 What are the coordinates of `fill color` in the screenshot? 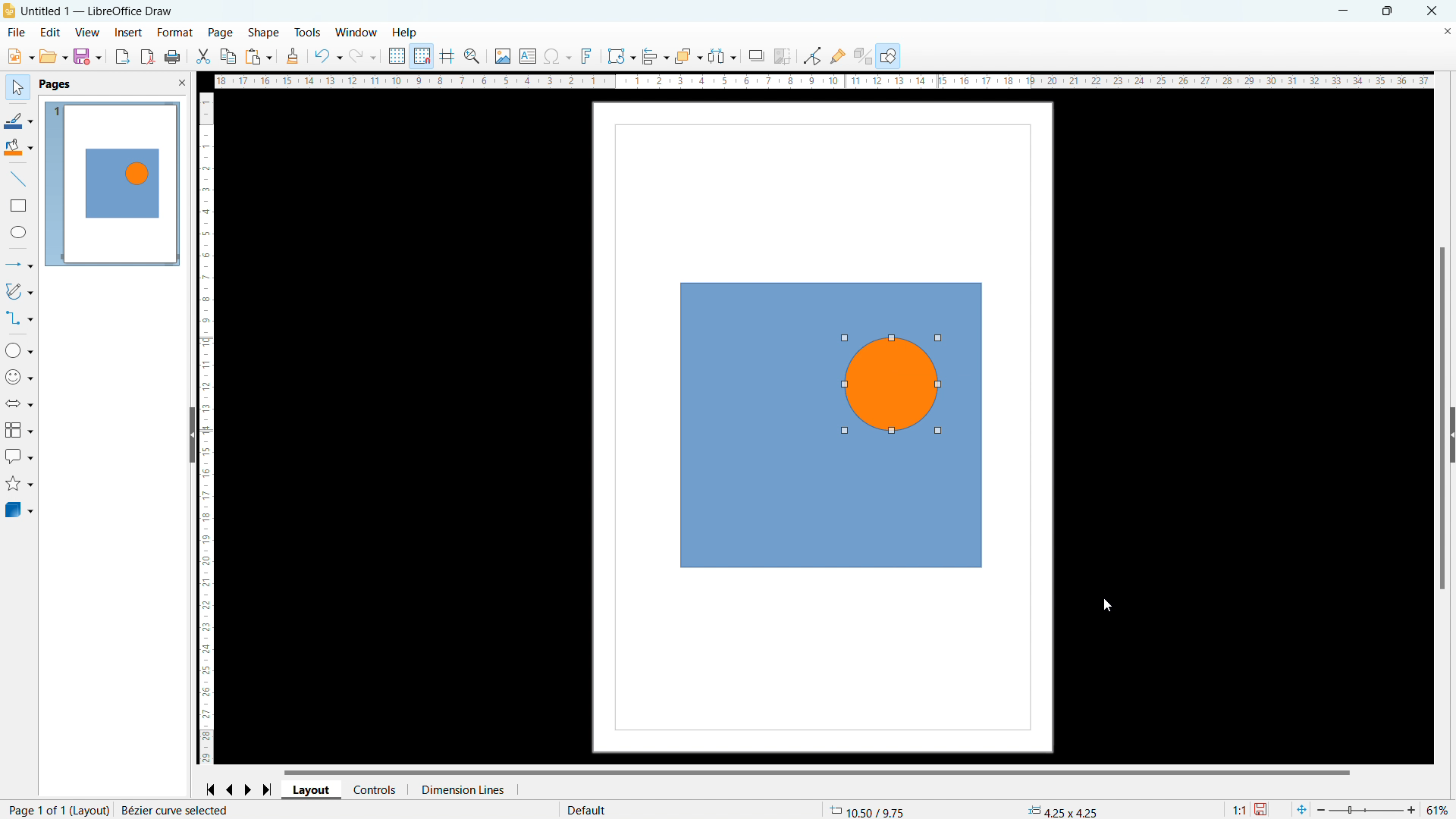 It's located at (19, 147).